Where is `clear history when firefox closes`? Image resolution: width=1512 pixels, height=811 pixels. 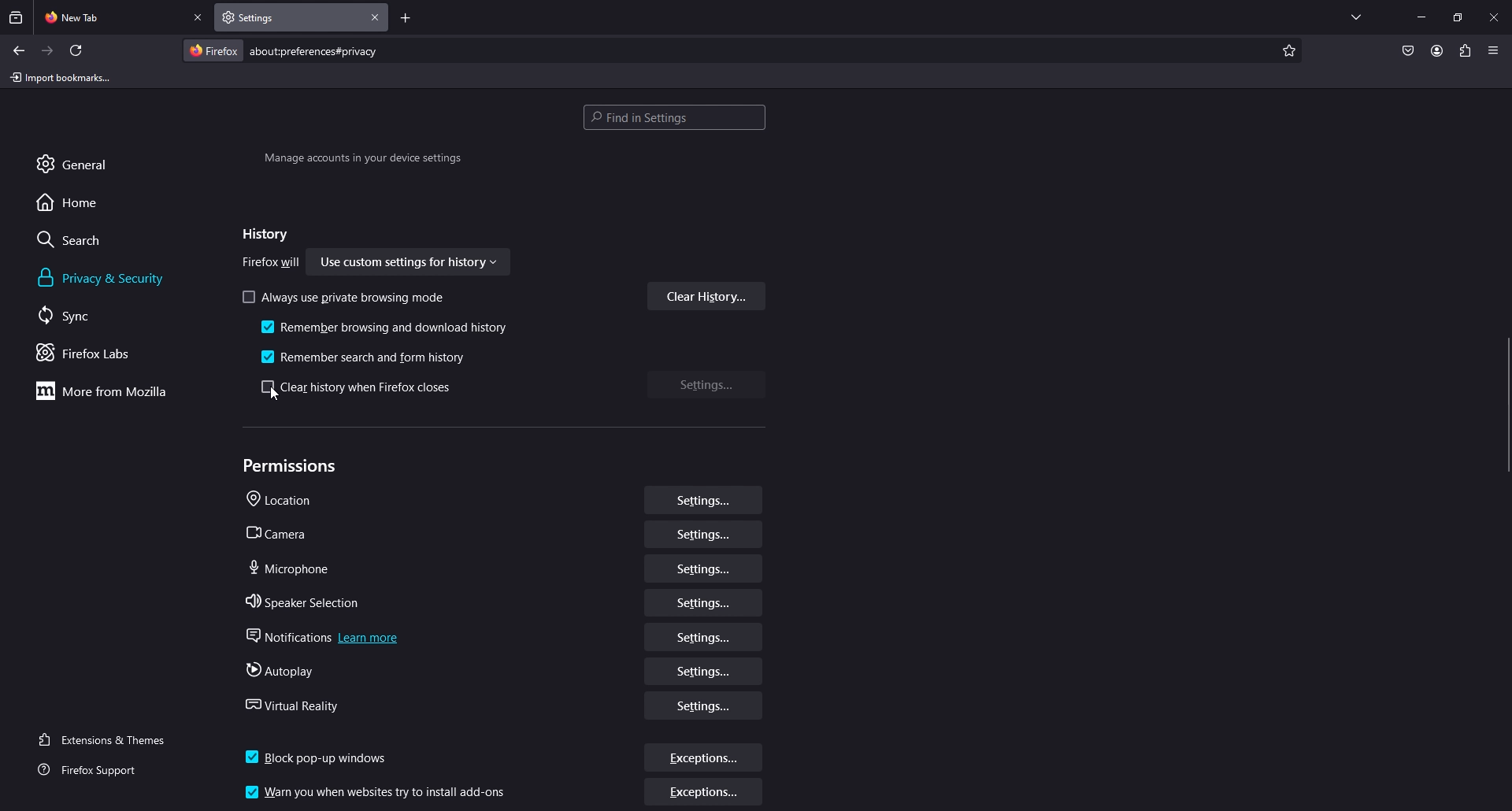 clear history when firefox closes is located at coordinates (361, 388).